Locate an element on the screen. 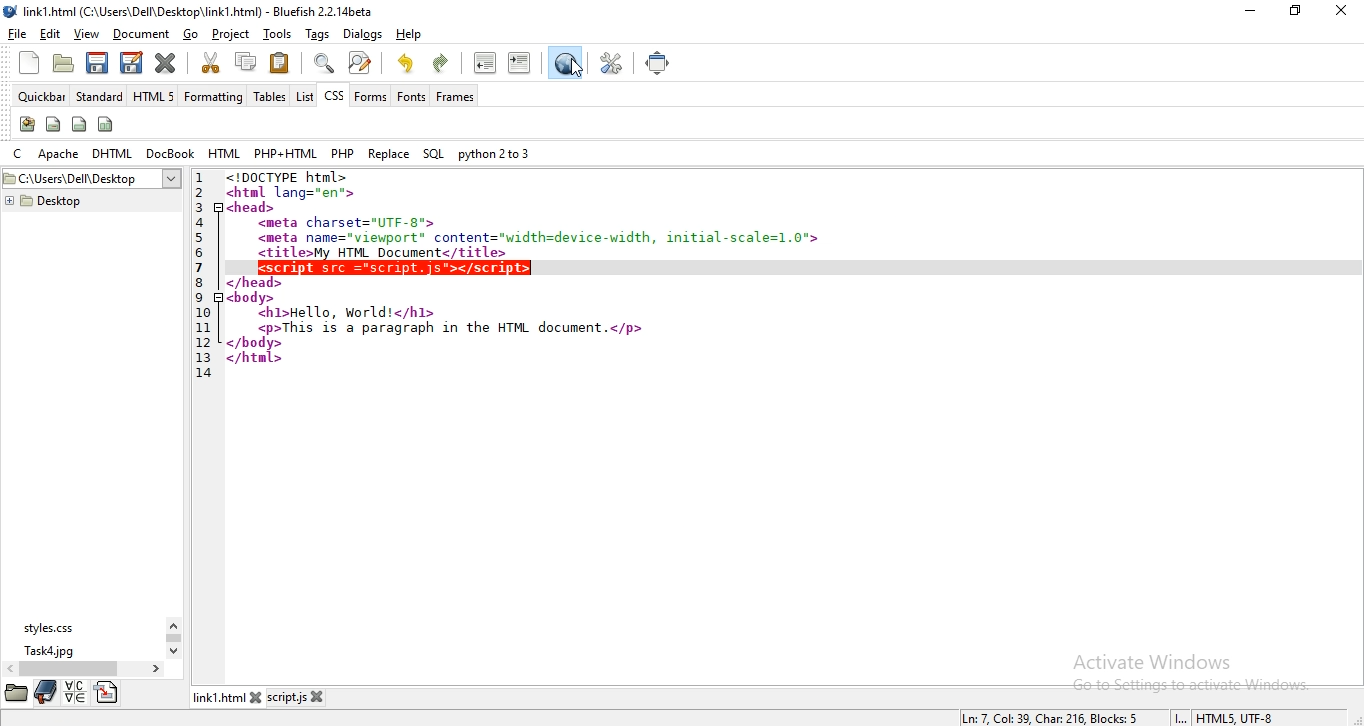  php is located at coordinates (343, 153).